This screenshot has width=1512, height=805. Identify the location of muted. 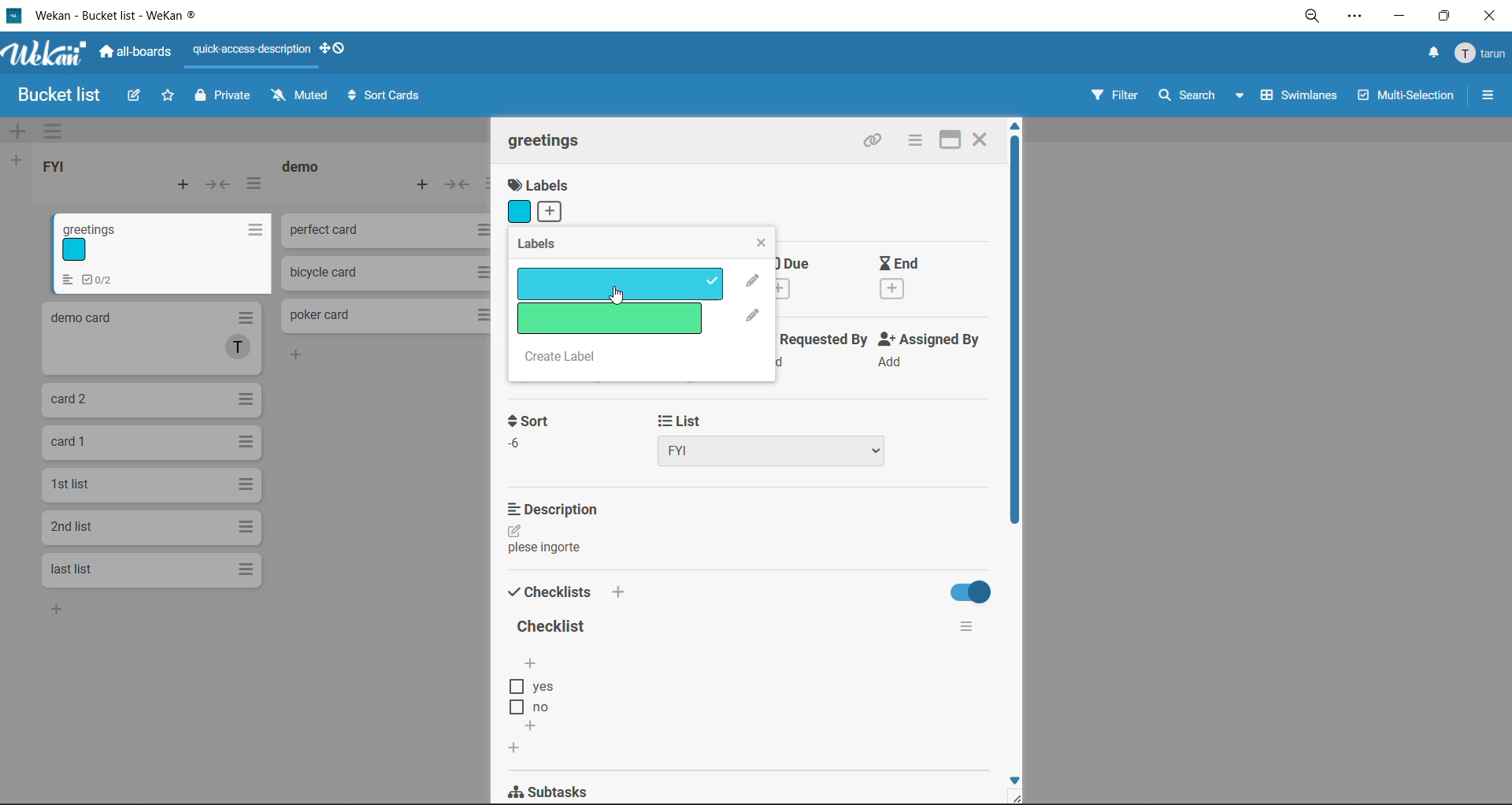
(300, 97).